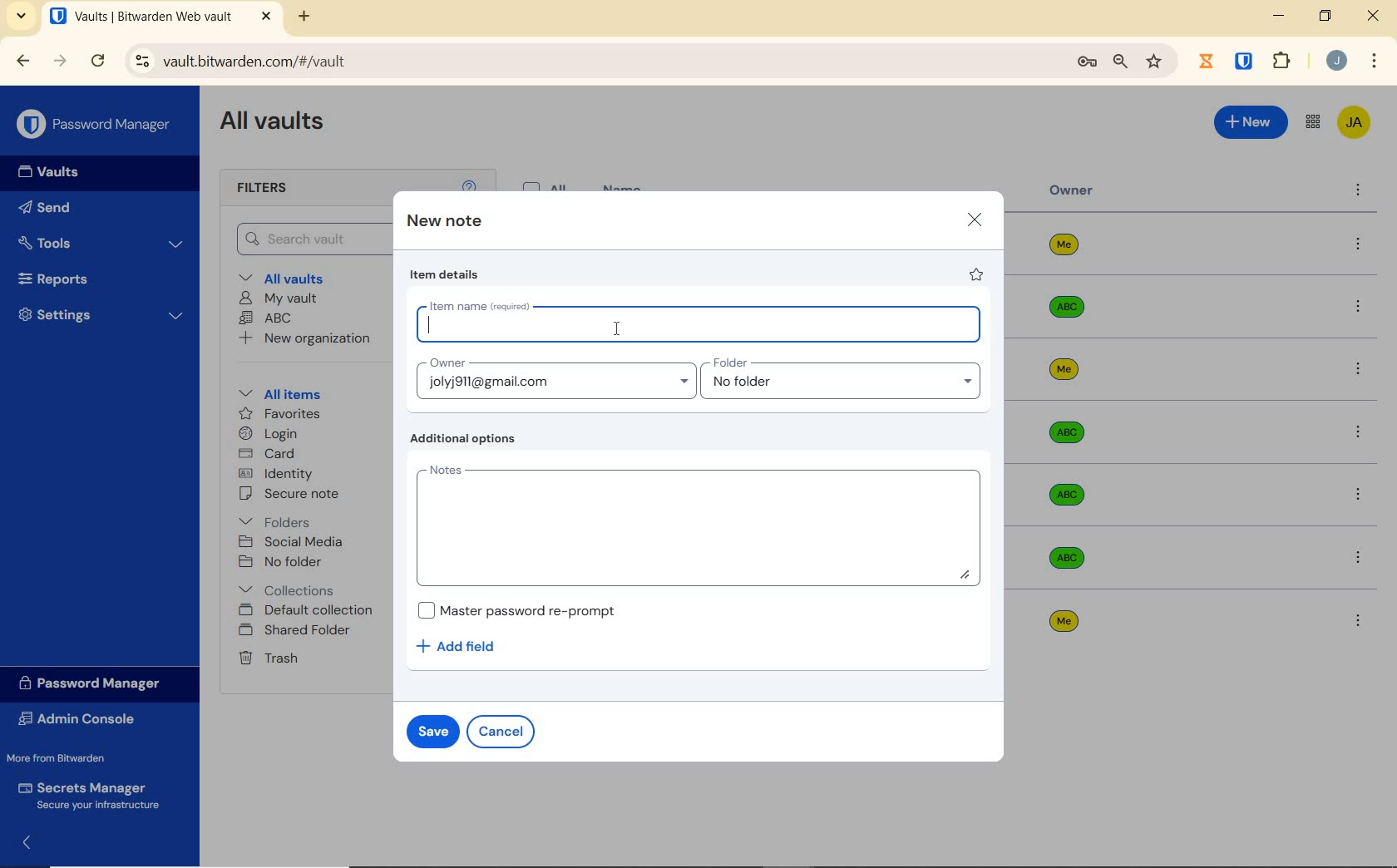  Describe the element at coordinates (1154, 62) in the screenshot. I see `bookmark` at that location.